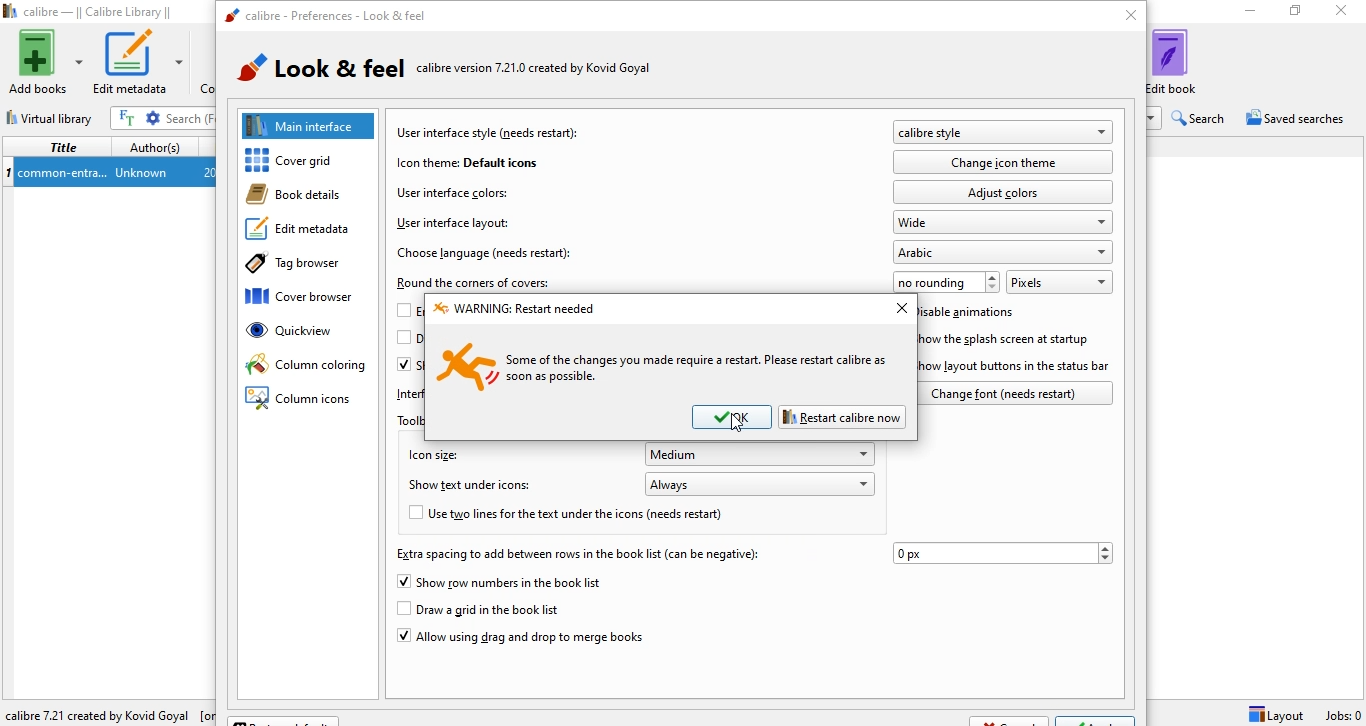 The height and width of the screenshot is (726, 1366). I want to click on enable system tray icon (needs restart), so click(409, 311).